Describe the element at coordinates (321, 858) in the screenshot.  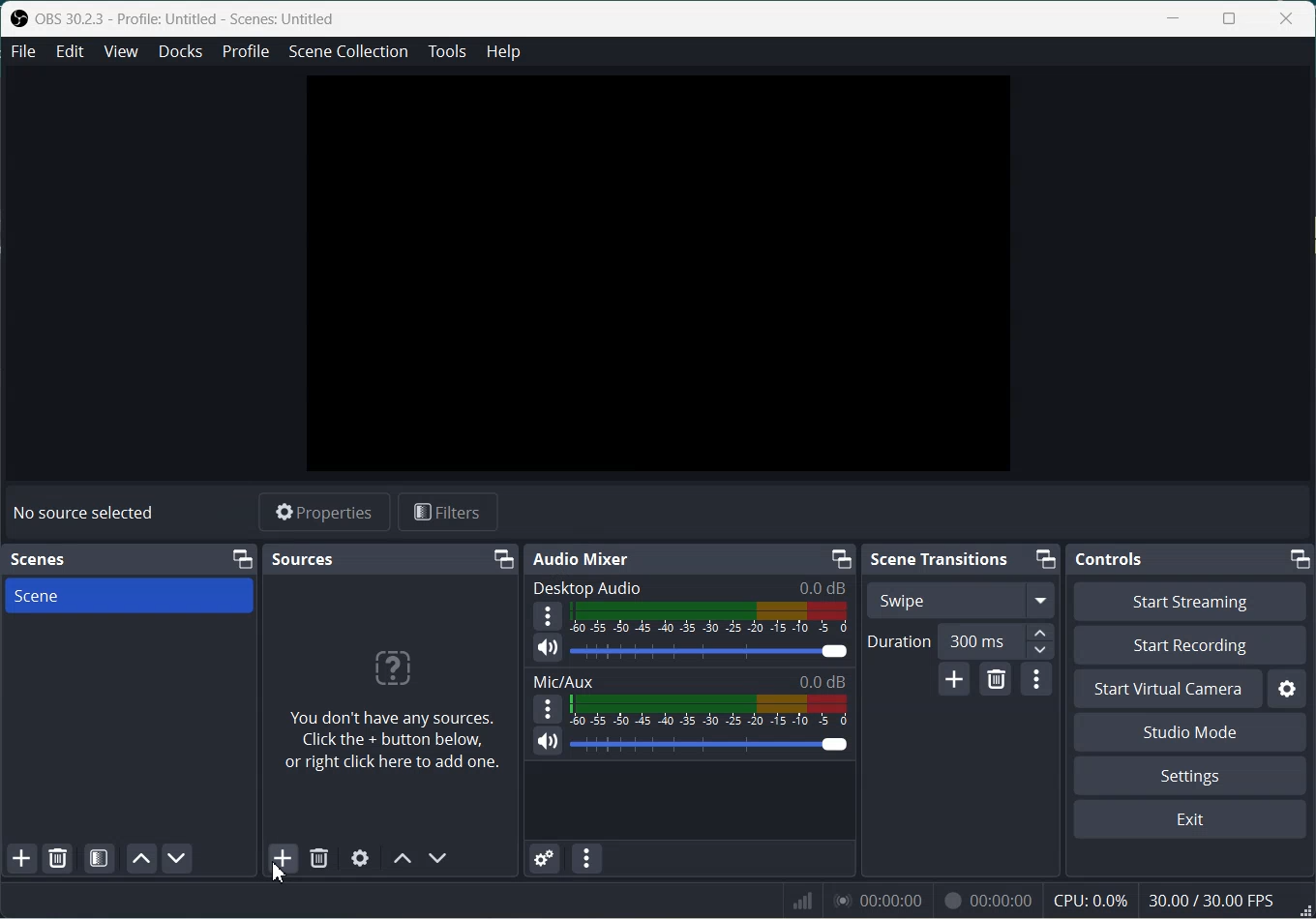
I see `Remove Source` at that location.